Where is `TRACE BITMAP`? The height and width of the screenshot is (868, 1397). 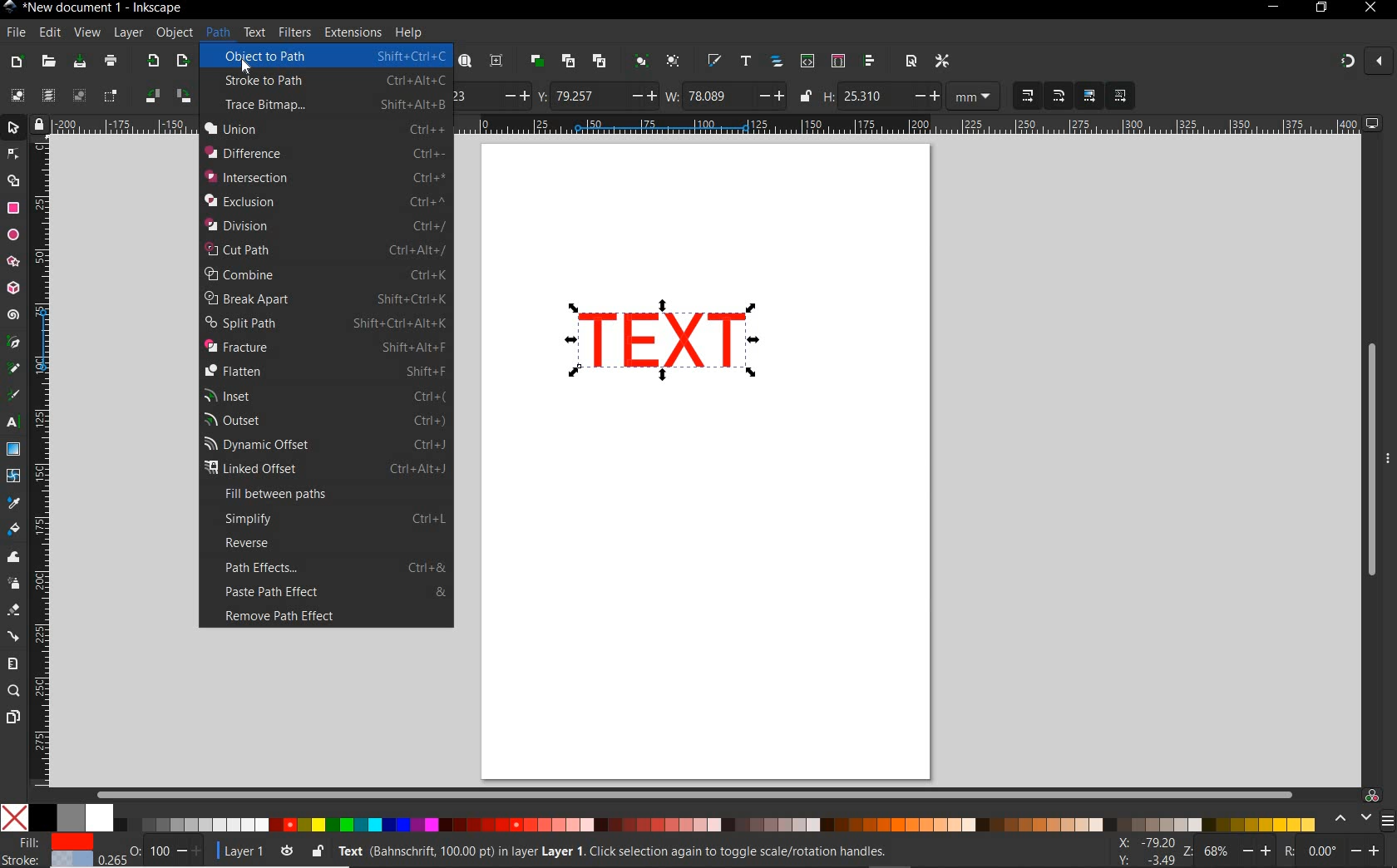 TRACE BITMAP is located at coordinates (333, 105).